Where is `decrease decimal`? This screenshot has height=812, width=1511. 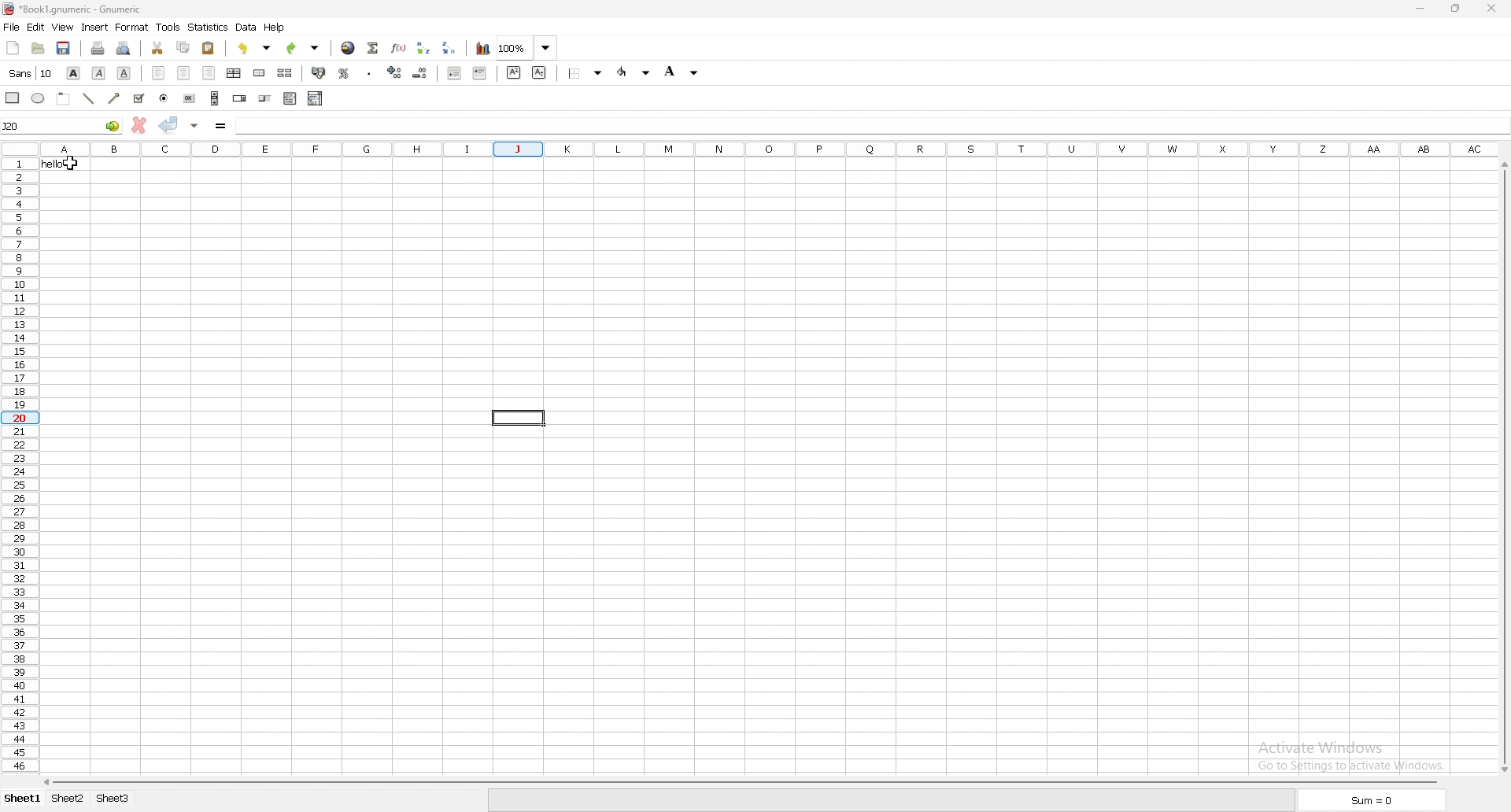 decrease decimal is located at coordinates (419, 73).